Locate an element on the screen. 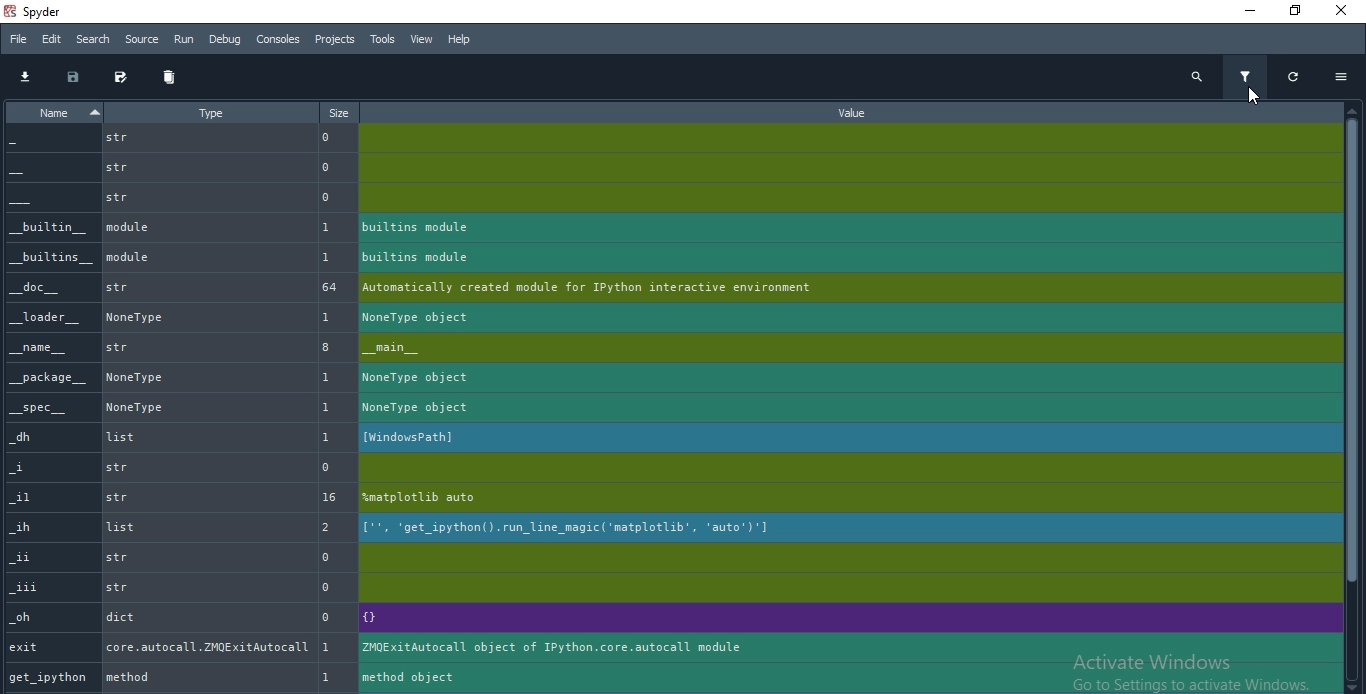  restore is located at coordinates (1296, 78).